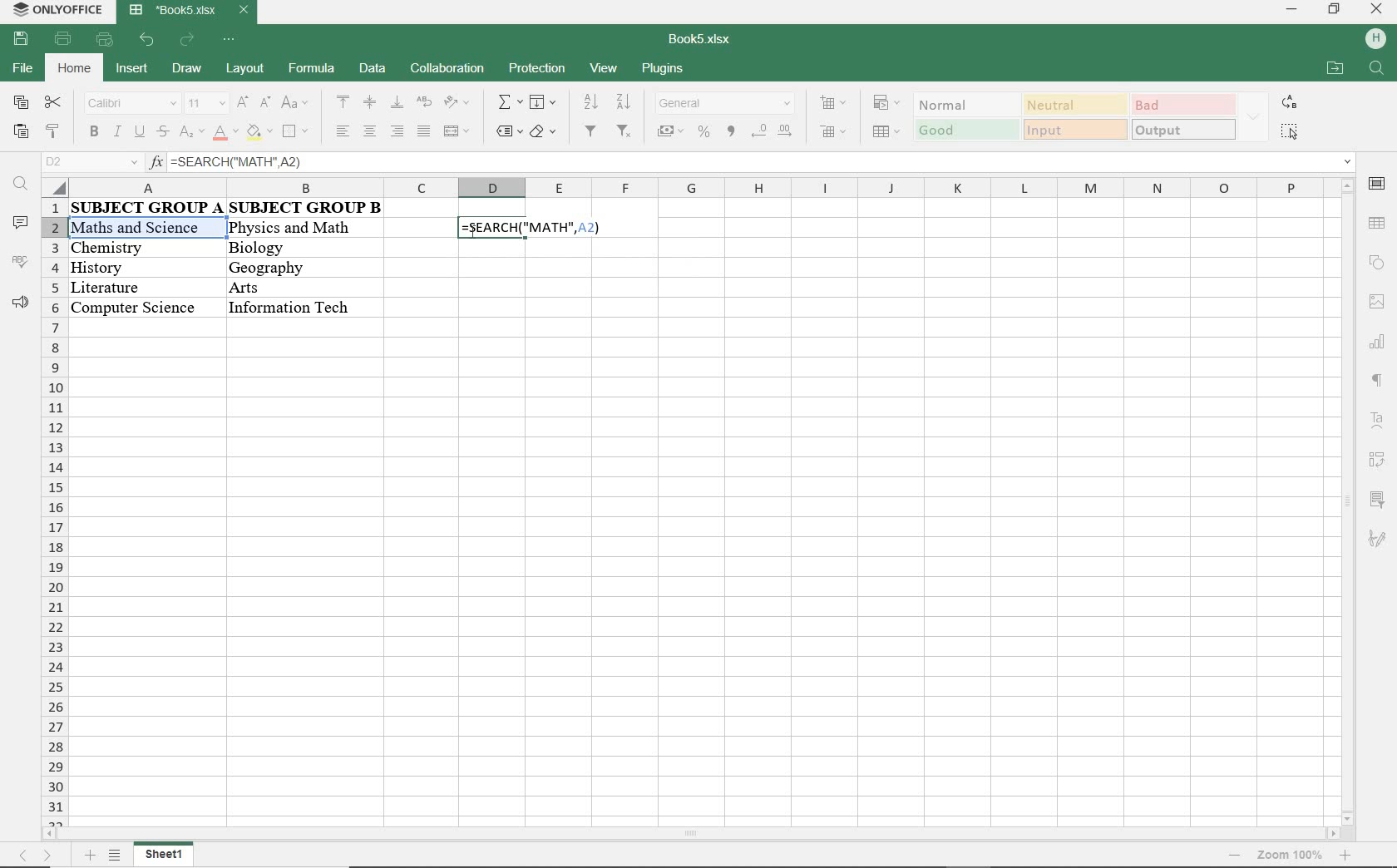 Image resolution: width=1397 pixels, height=868 pixels. I want to click on typed formula, so click(533, 228).